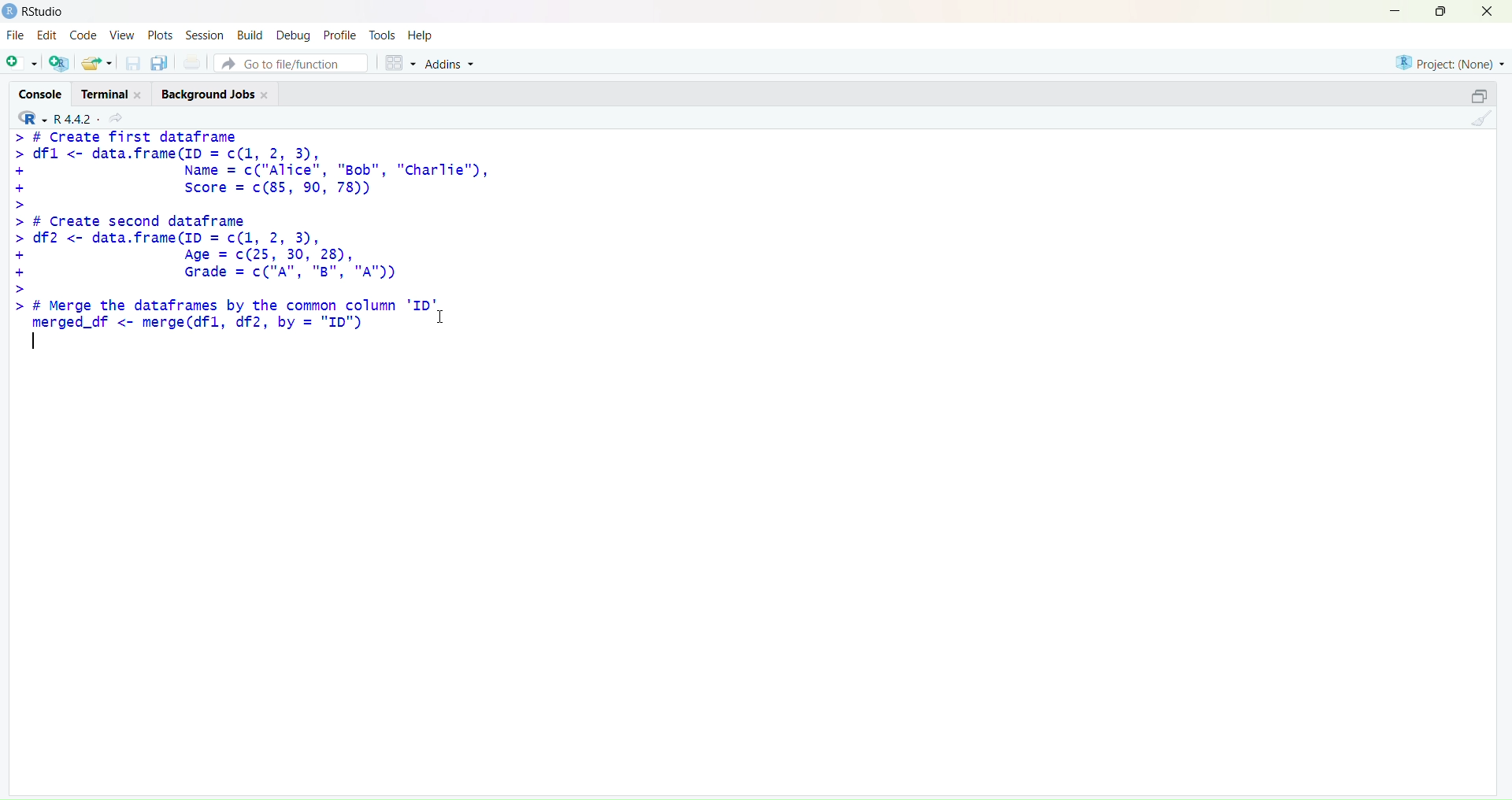 This screenshot has height=800, width=1512. What do you see at coordinates (1482, 119) in the screenshot?
I see `clear console` at bounding box center [1482, 119].